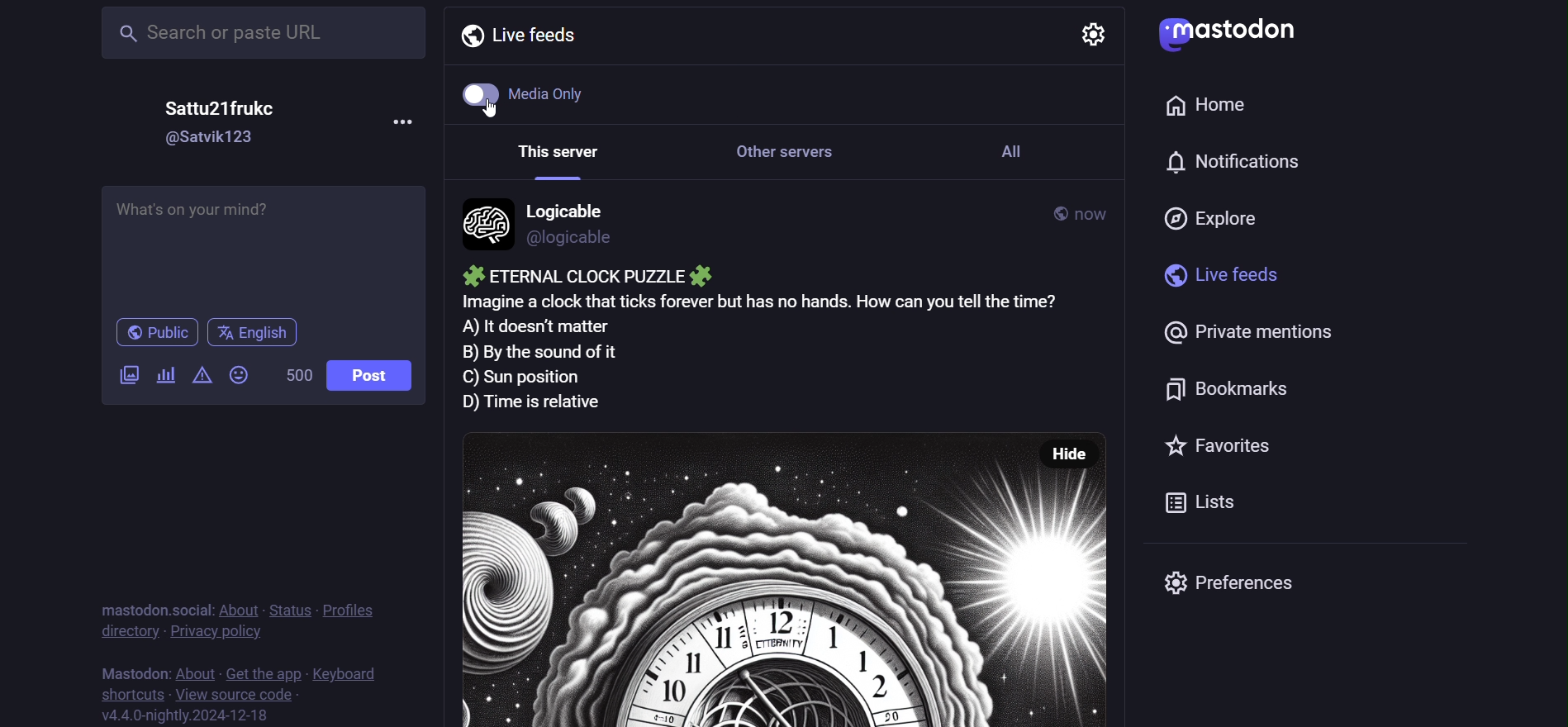  Describe the element at coordinates (553, 156) in the screenshot. I see `this server` at that location.